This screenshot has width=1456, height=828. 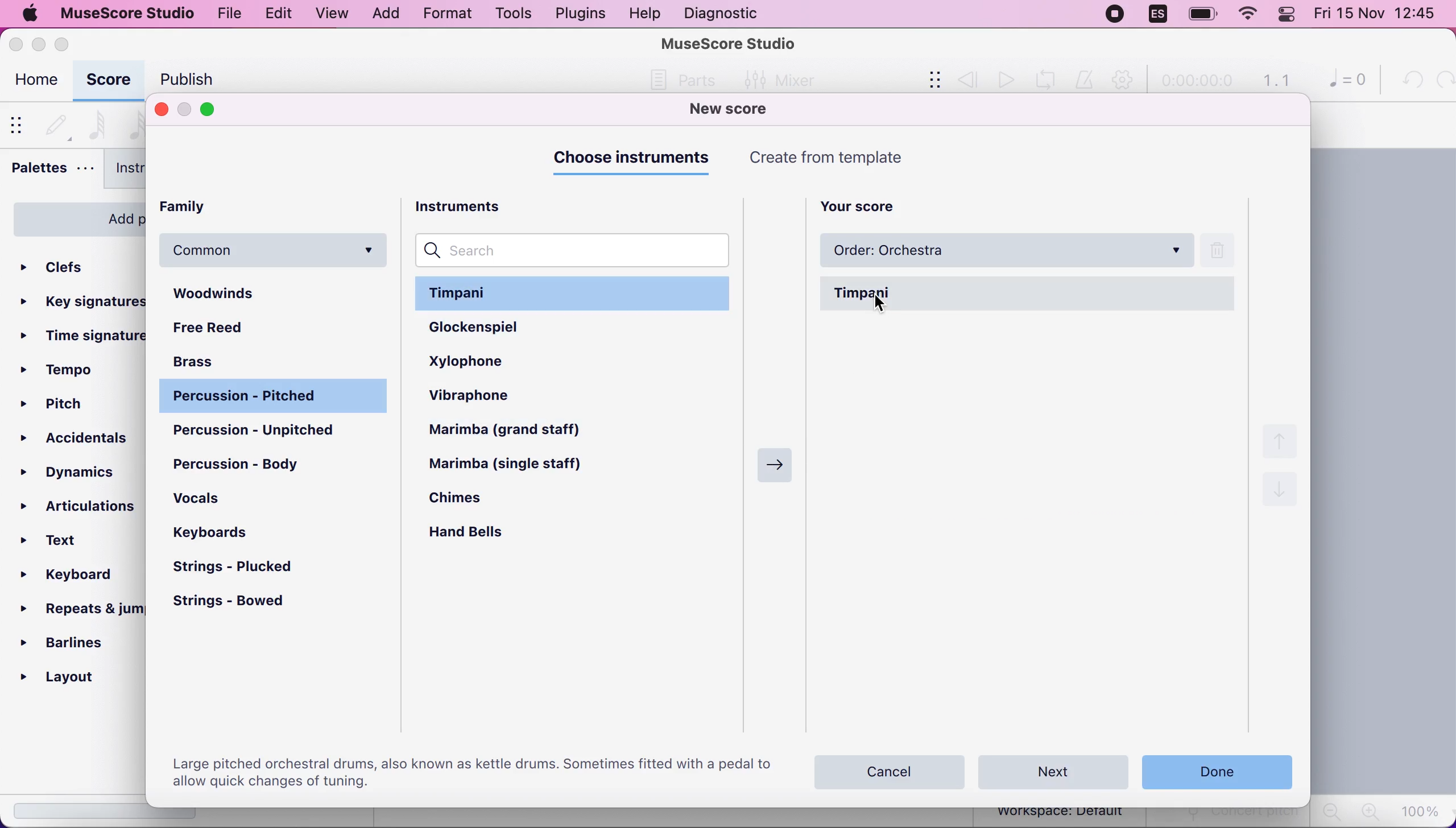 What do you see at coordinates (1036, 514) in the screenshot?
I see `choose your instruments by adding them to this list` at bounding box center [1036, 514].